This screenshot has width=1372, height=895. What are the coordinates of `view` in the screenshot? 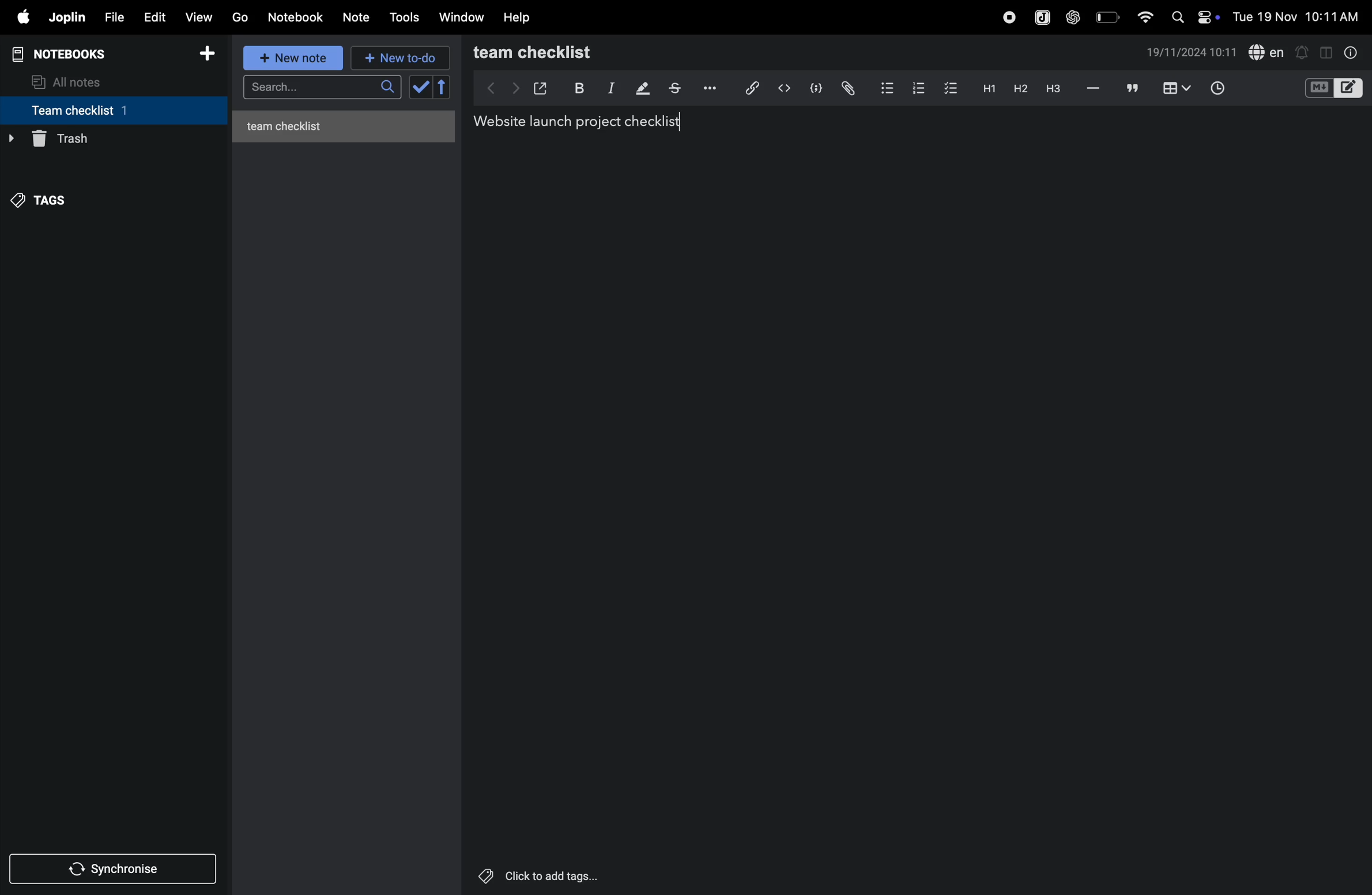 It's located at (201, 16).